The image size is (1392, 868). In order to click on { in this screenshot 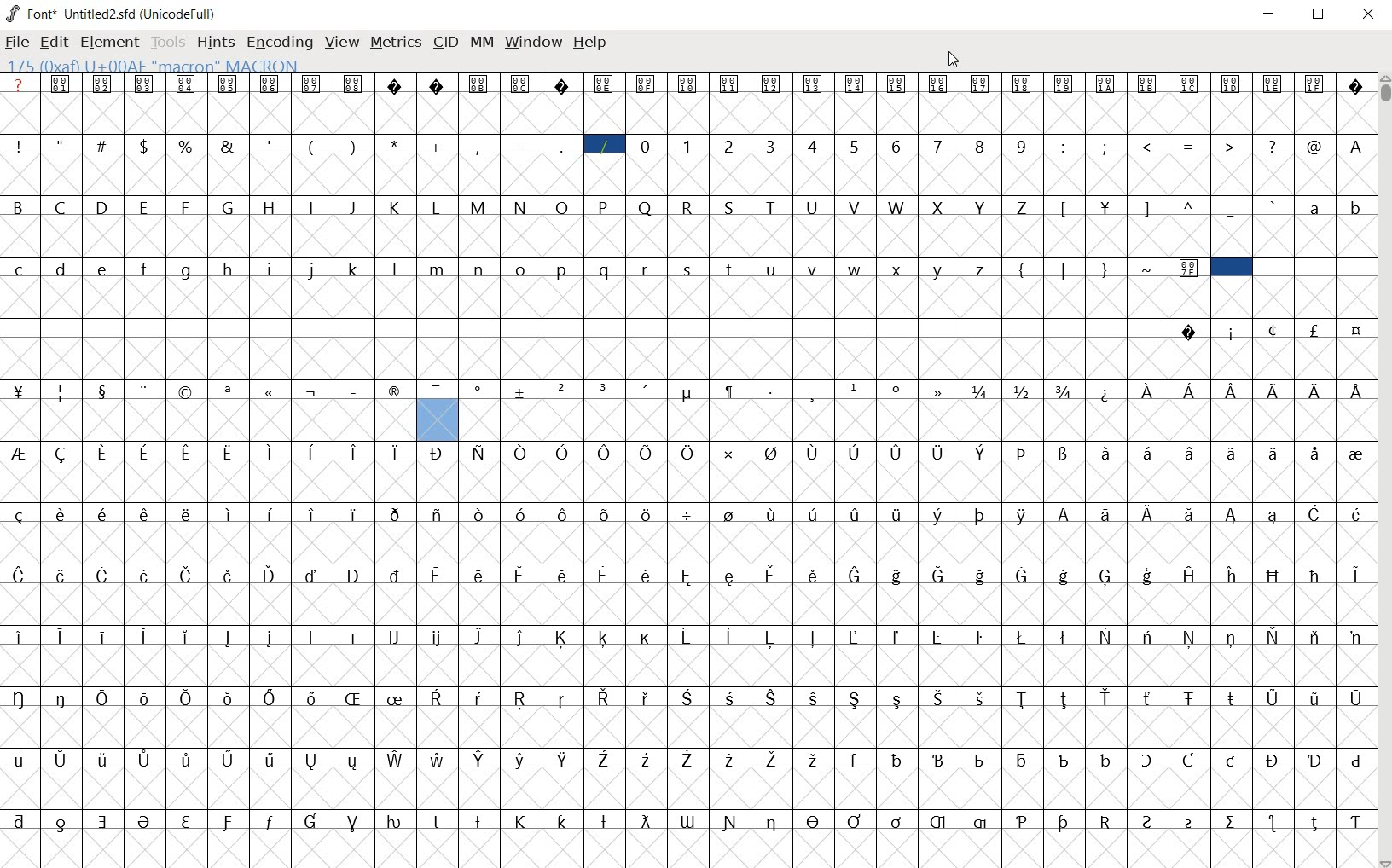, I will do `click(1024, 269)`.